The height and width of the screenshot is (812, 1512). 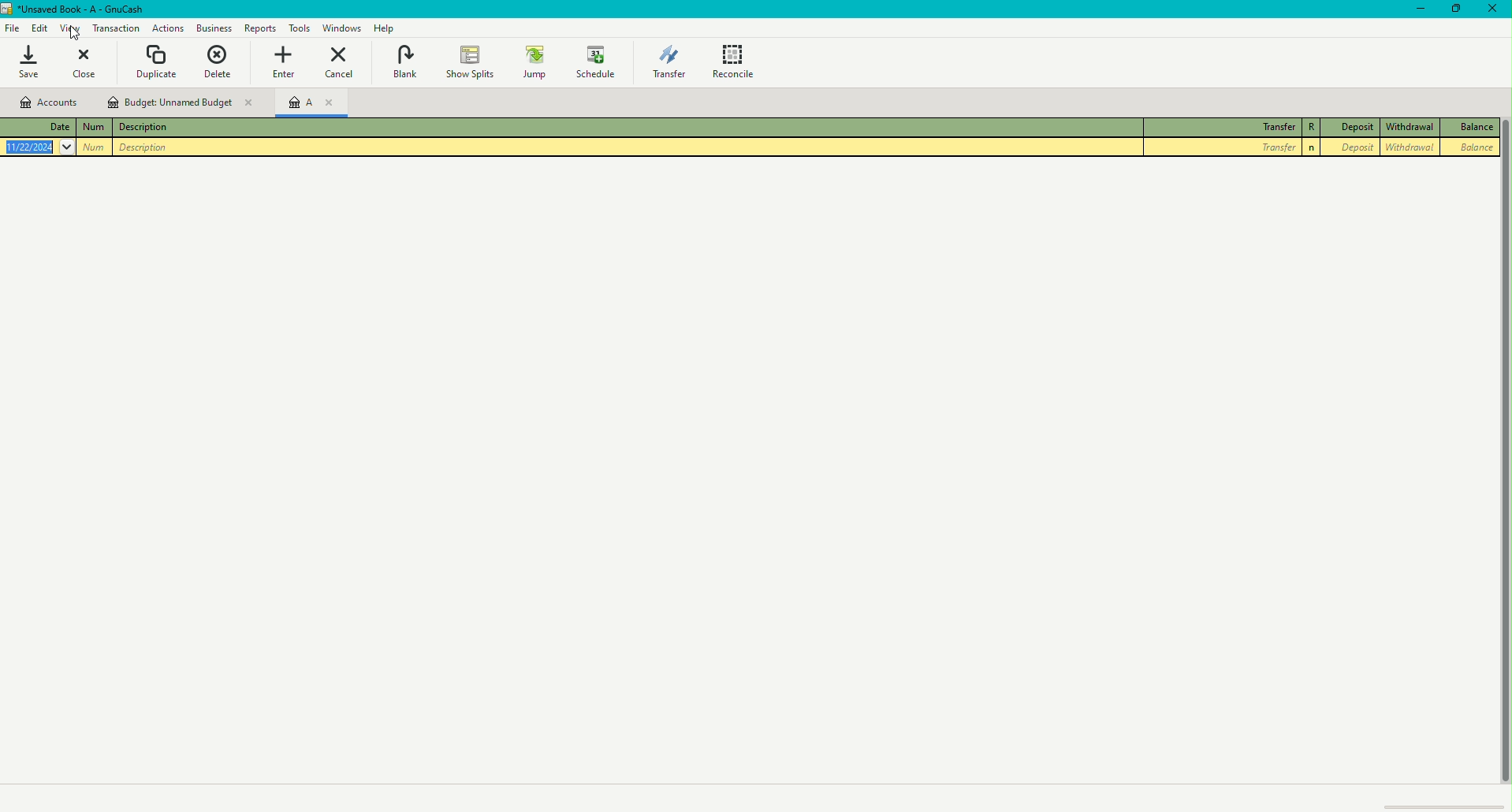 I want to click on Transfer, so click(x=666, y=62).